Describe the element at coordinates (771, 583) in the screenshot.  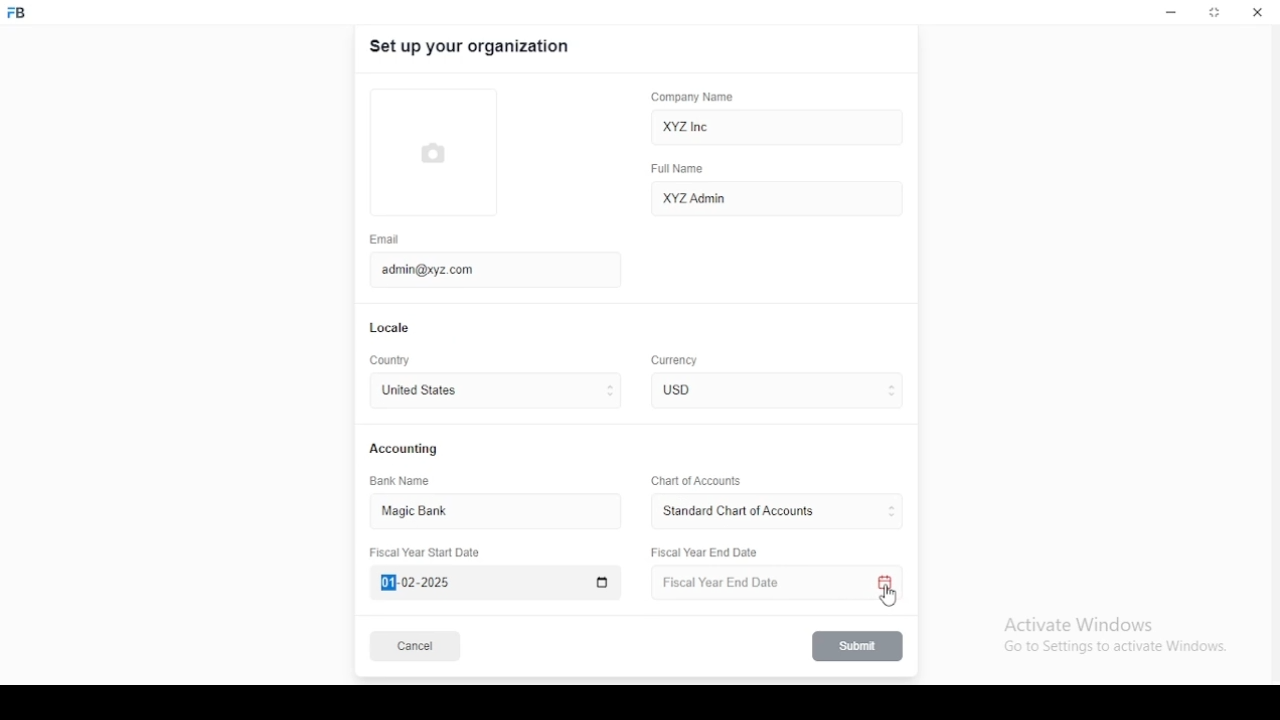
I see `Fiscal Year End Date` at that location.